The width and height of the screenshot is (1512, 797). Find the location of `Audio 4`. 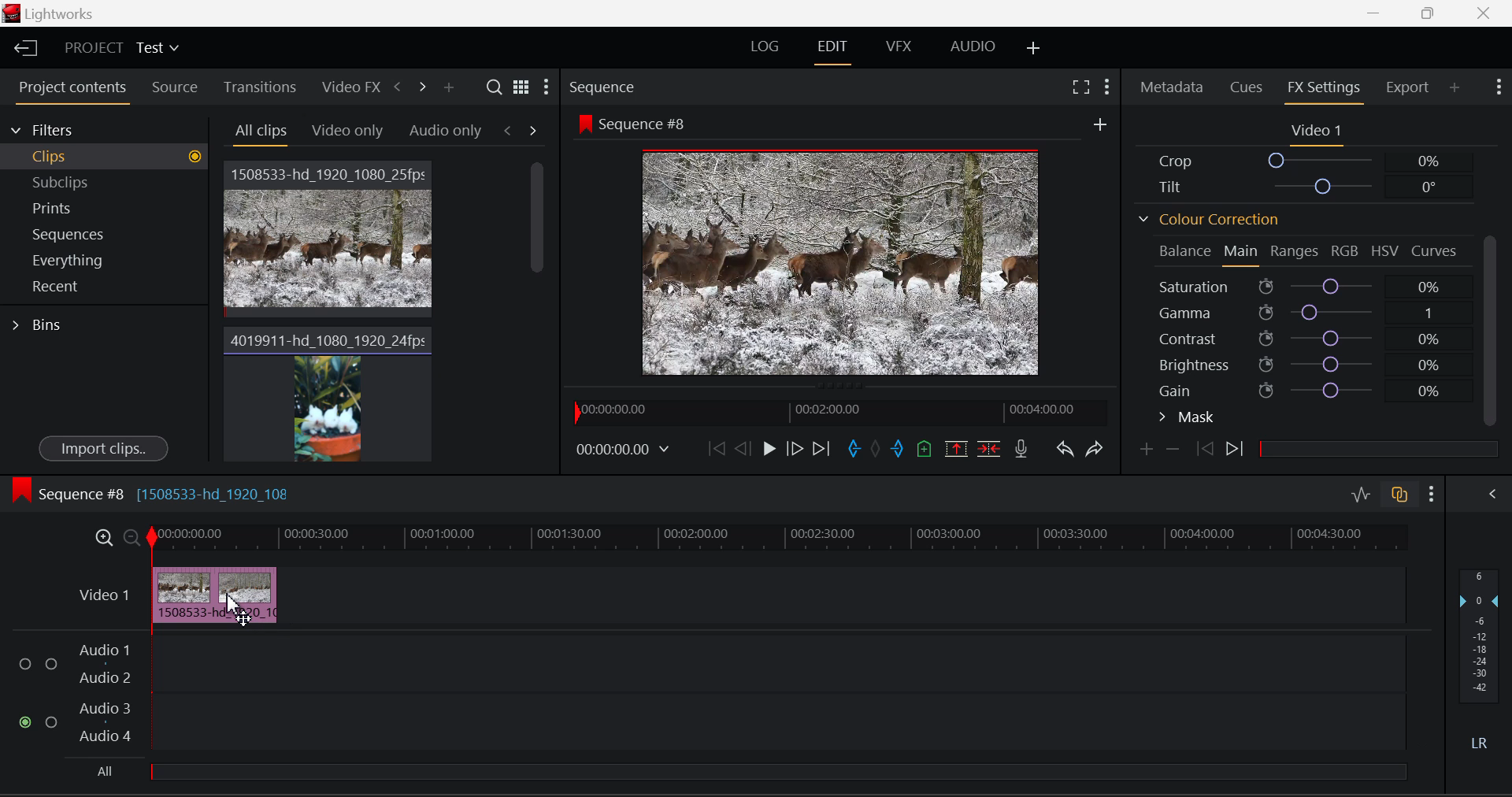

Audio 4 is located at coordinates (108, 737).